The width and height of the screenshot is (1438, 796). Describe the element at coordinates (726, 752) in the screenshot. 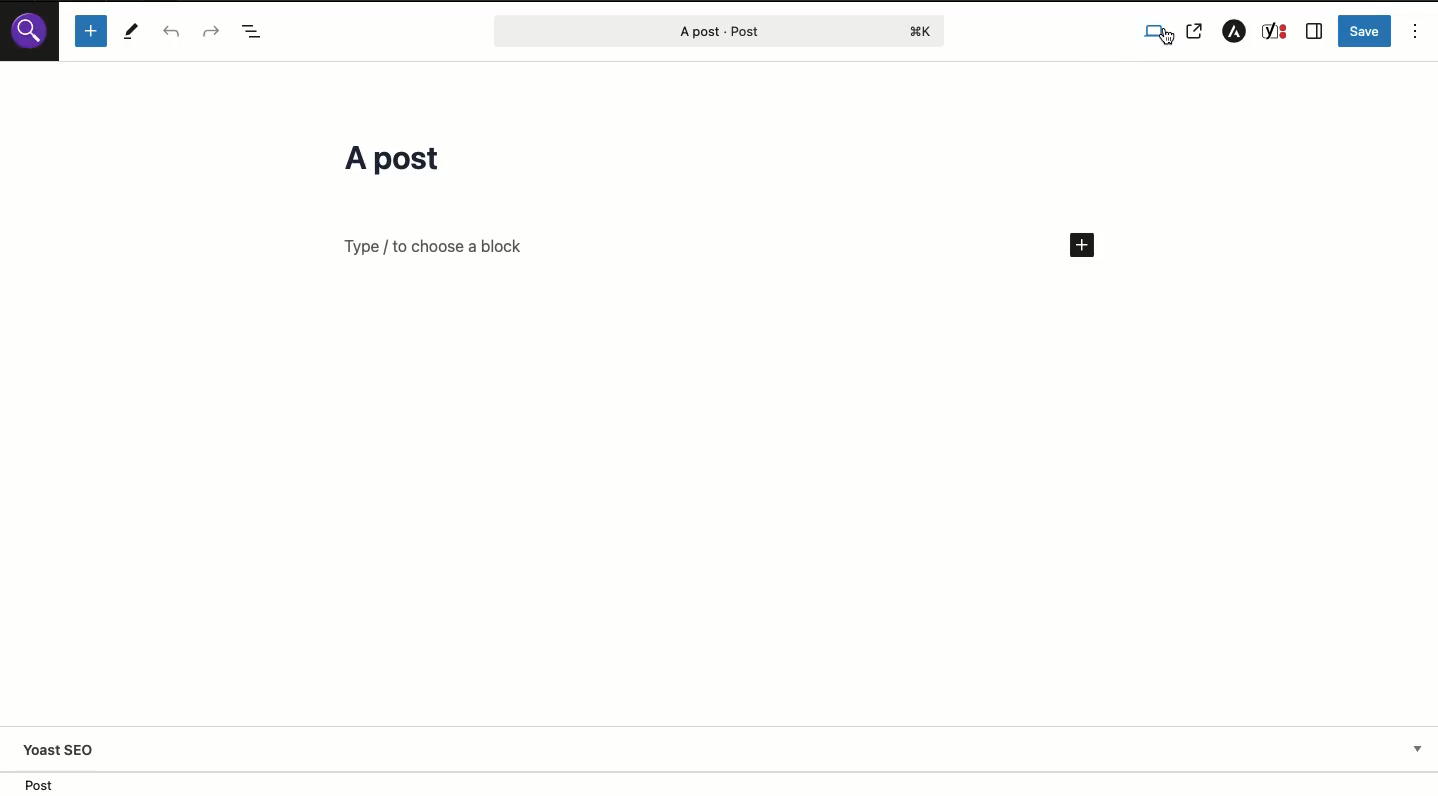

I see `Yoast` at that location.